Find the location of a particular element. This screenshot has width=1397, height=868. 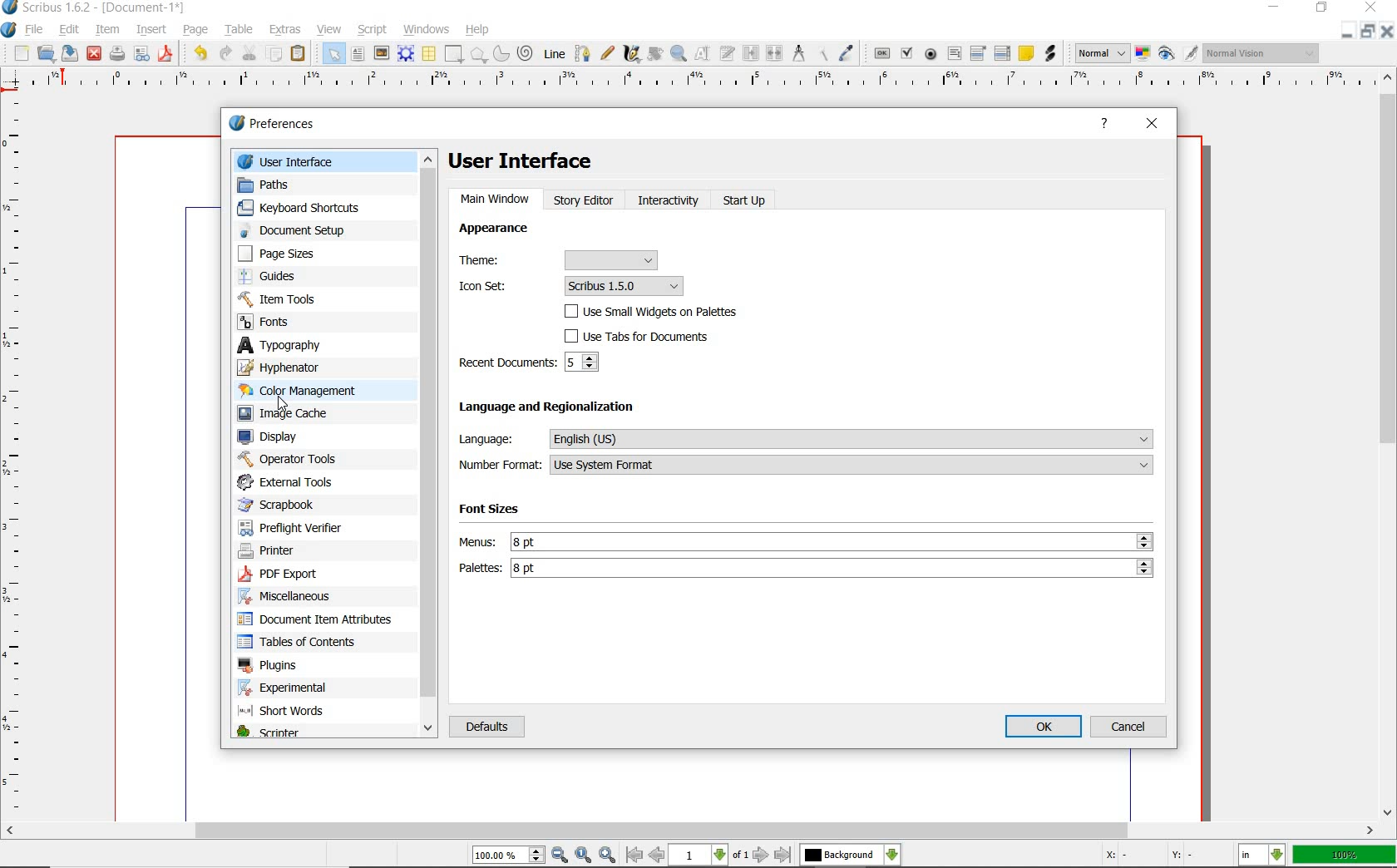

guides is located at coordinates (300, 277).